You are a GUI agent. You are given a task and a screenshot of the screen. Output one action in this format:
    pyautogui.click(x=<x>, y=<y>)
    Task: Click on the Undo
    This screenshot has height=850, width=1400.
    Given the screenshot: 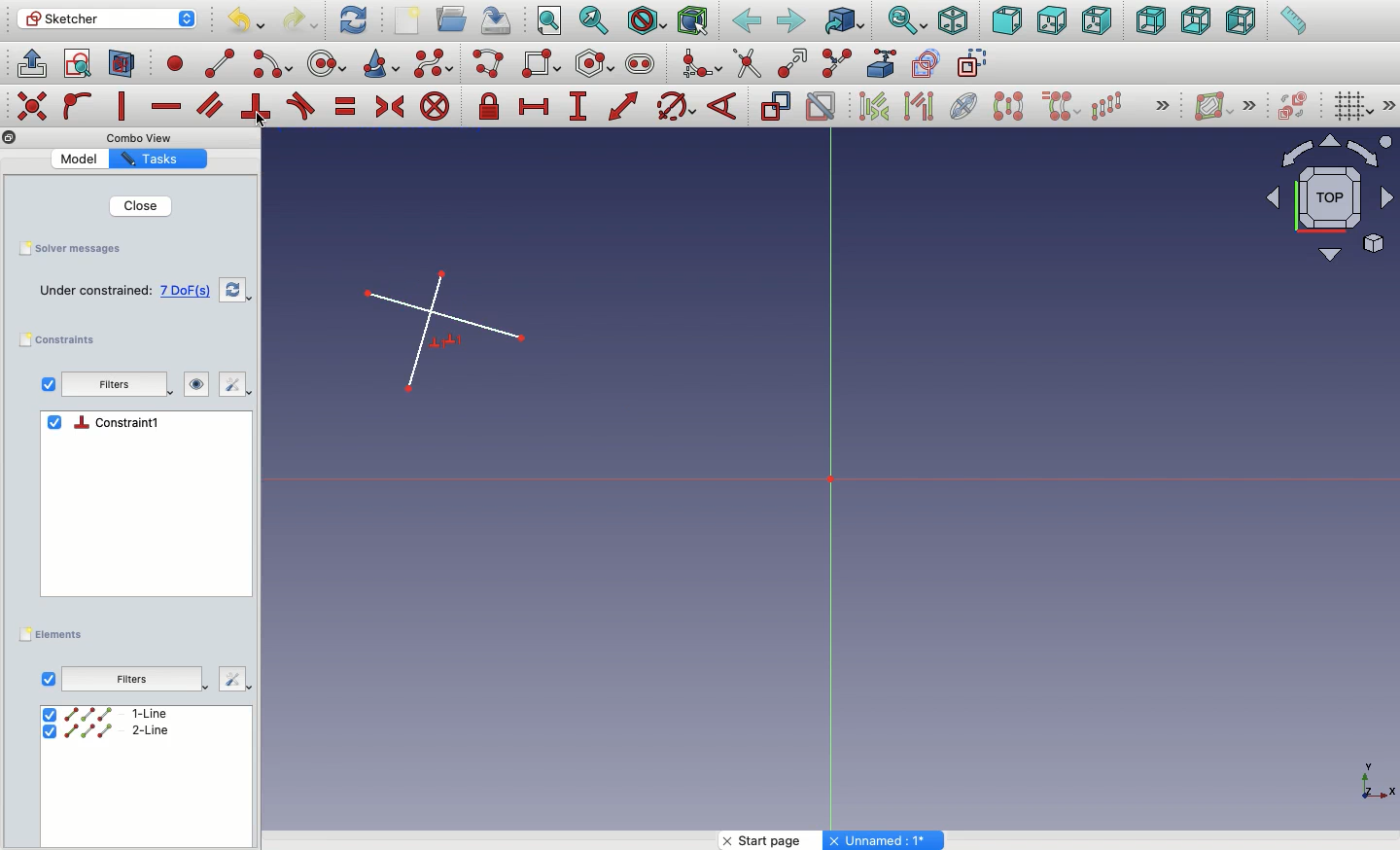 What is the action you would take?
    pyautogui.click(x=244, y=21)
    